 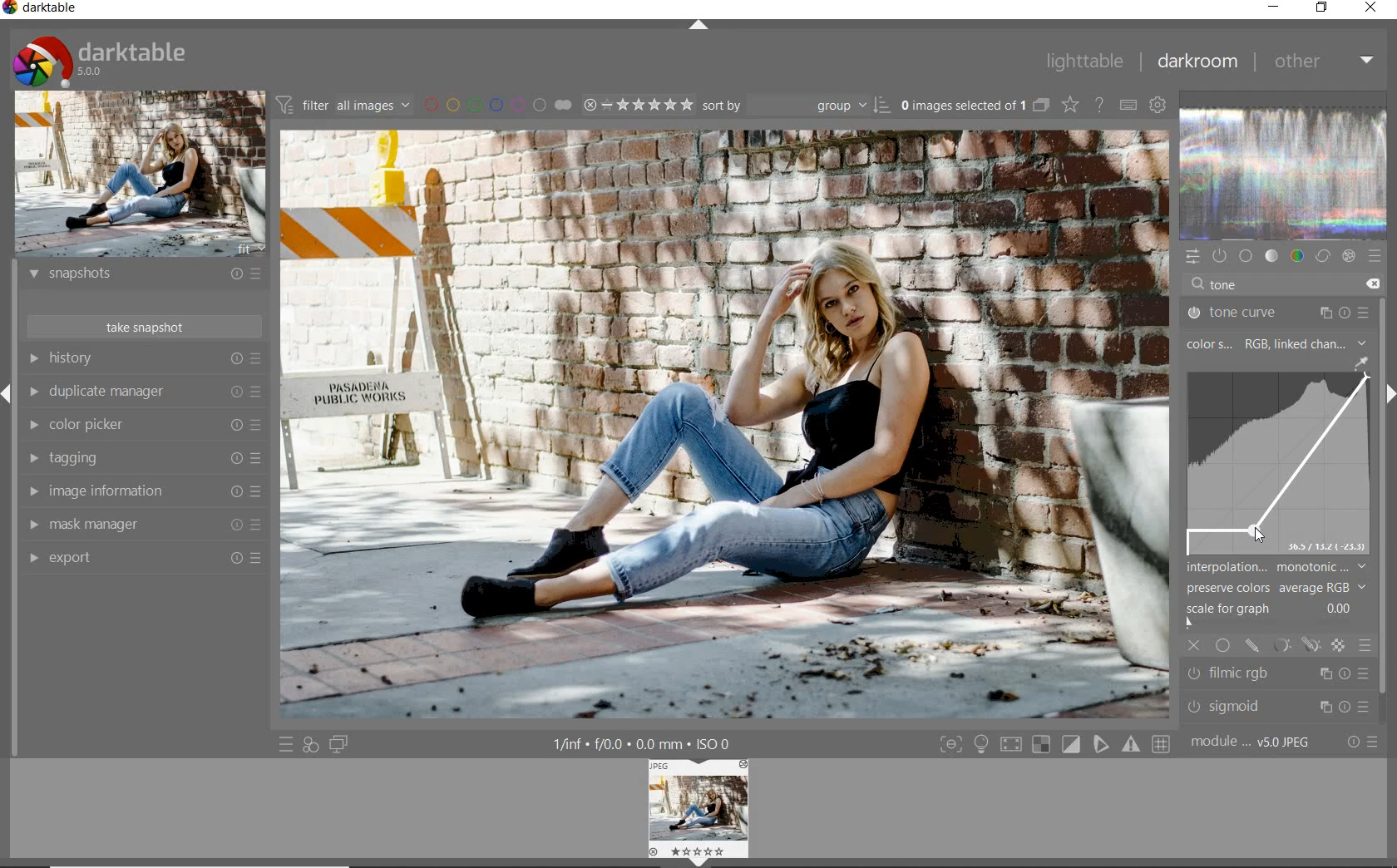 What do you see at coordinates (698, 812) in the screenshot?
I see `image preview` at bounding box center [698, 812].